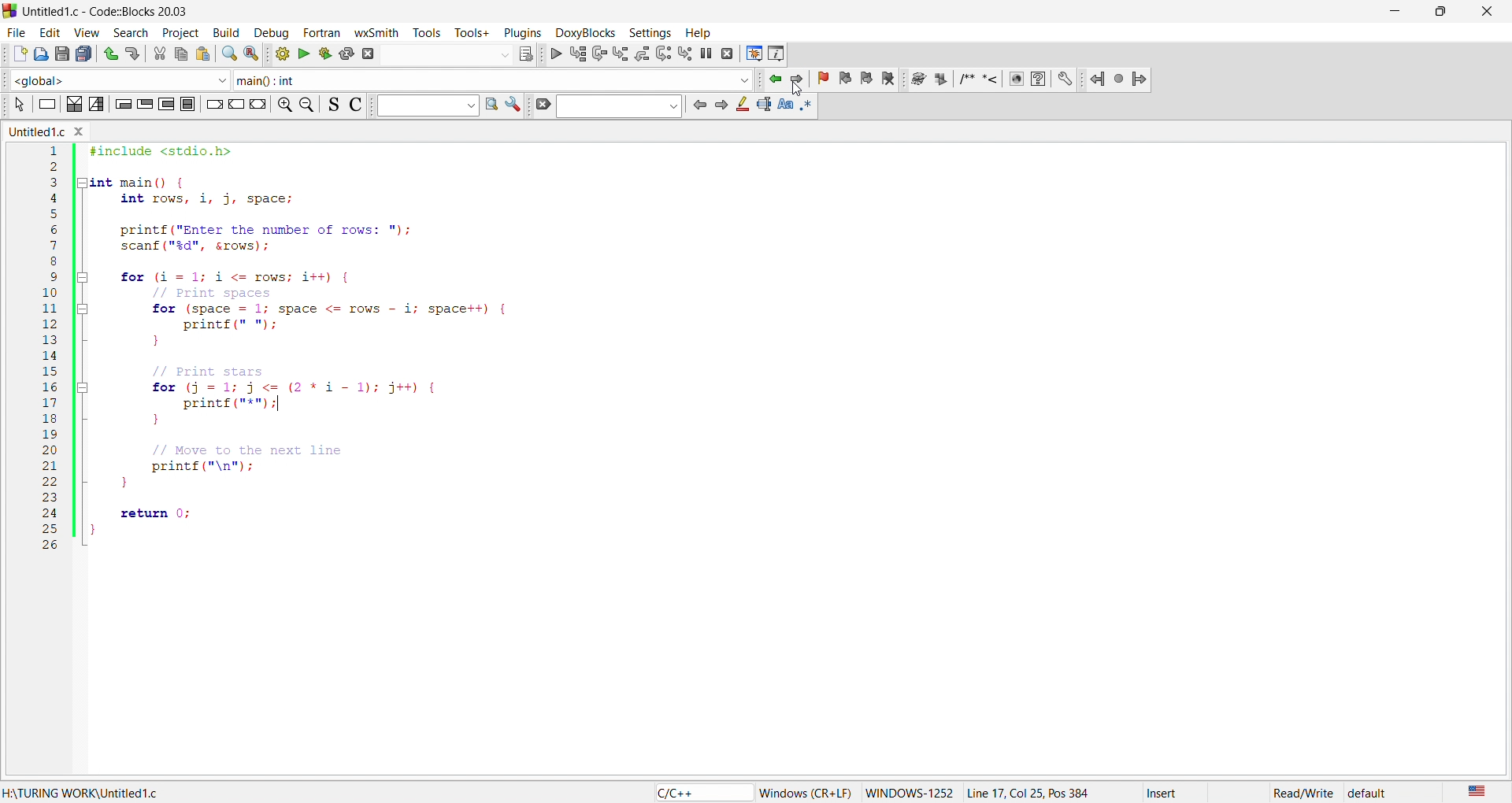 The height and width of the screenshot is (803, 1512). What do you see at coordinates (523, 31) in the screenshot?
I see `plugins` at bounding box center [523, 31].